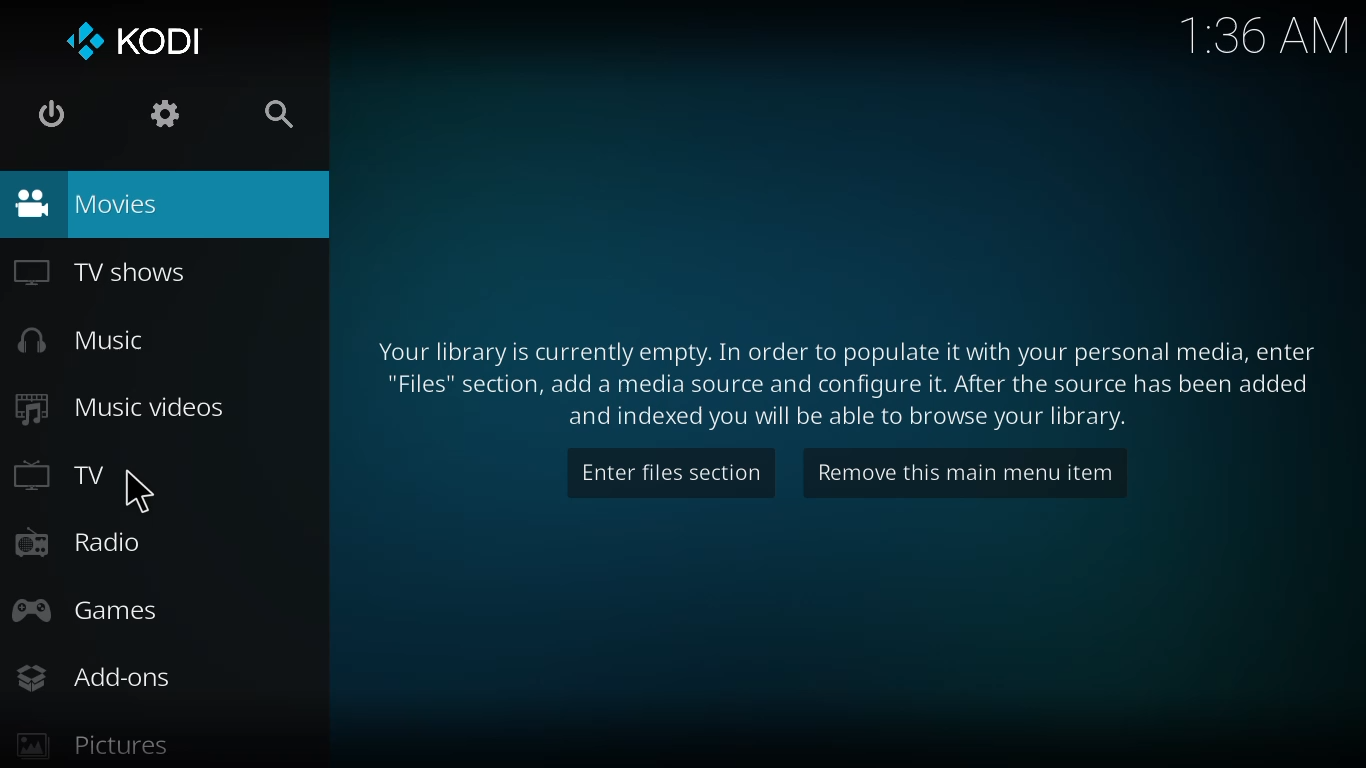 This screenshot has width=1366, height=768. What do you see at coordinates (150, 494) in the screenshot?
I see `cursor` at bounding box center [150, 494].